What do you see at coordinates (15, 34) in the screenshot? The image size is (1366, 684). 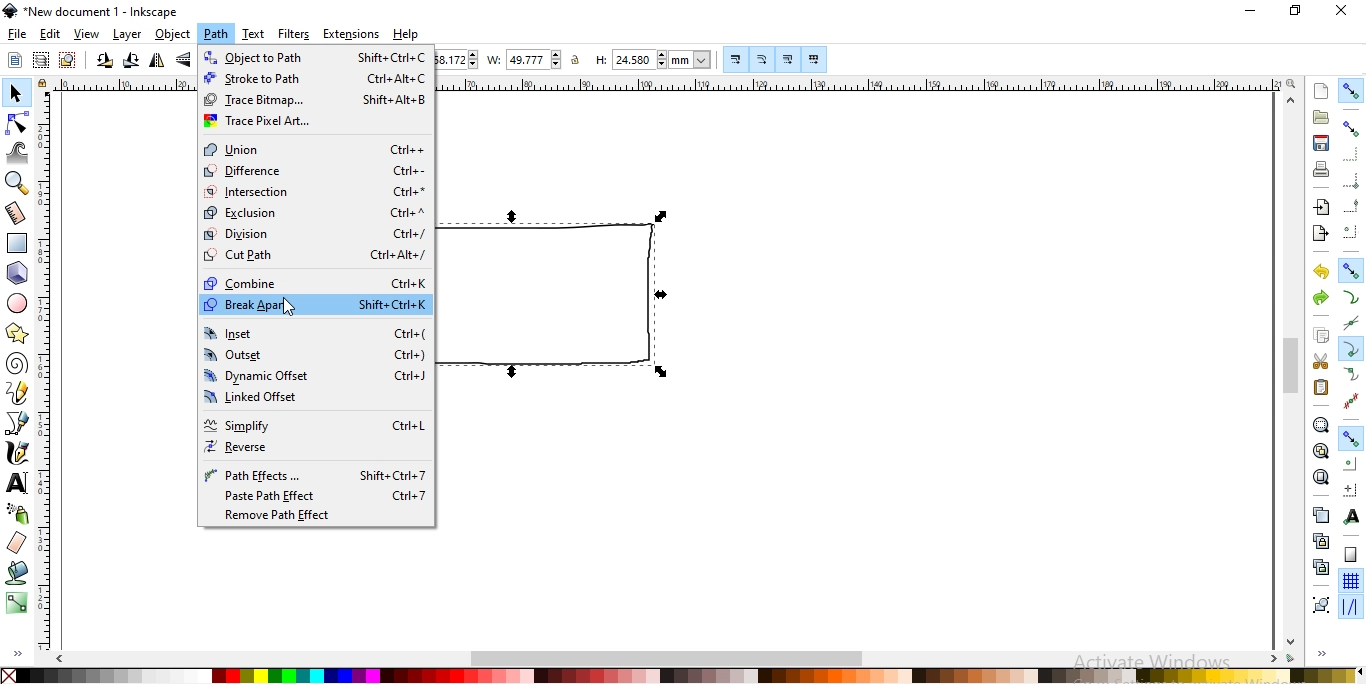 I see `file` at bounding box center [15, 34].